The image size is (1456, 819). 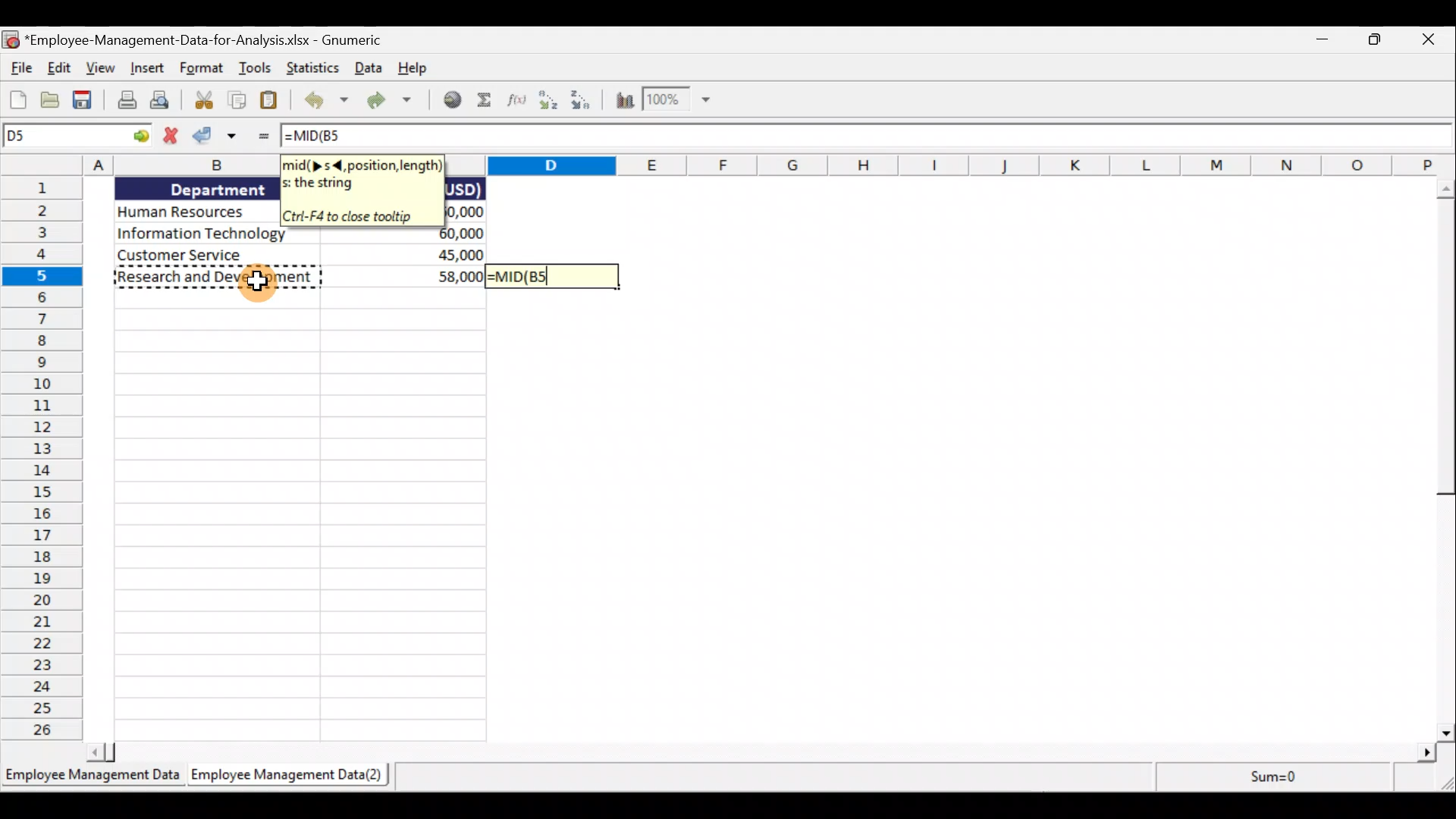 What do you see at coordinates (469, 204) in the screenshot?
I see `data` at bounding box center [469, 204].